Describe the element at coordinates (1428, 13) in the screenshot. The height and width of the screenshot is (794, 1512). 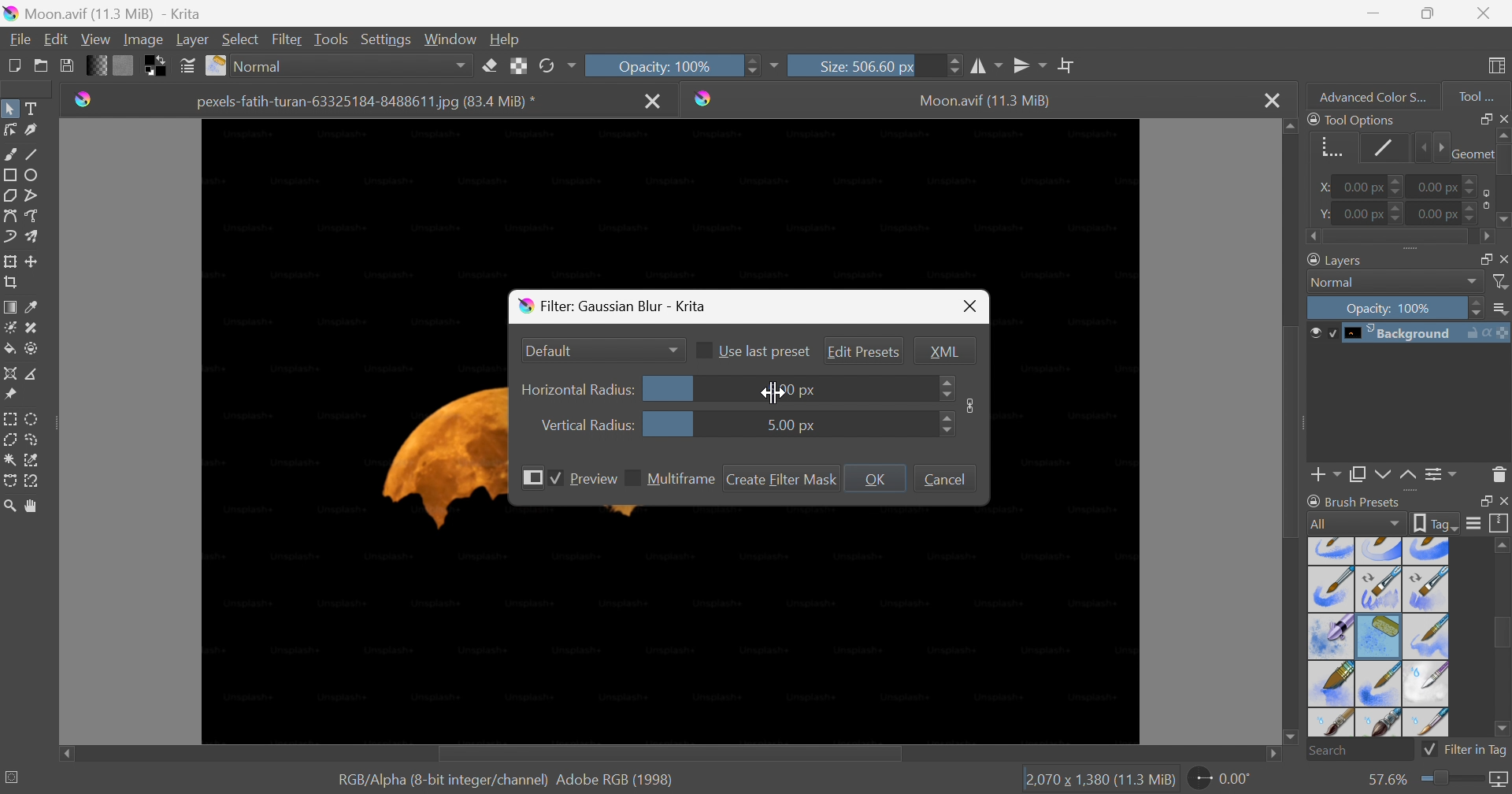
I see `Restore down` at that location.